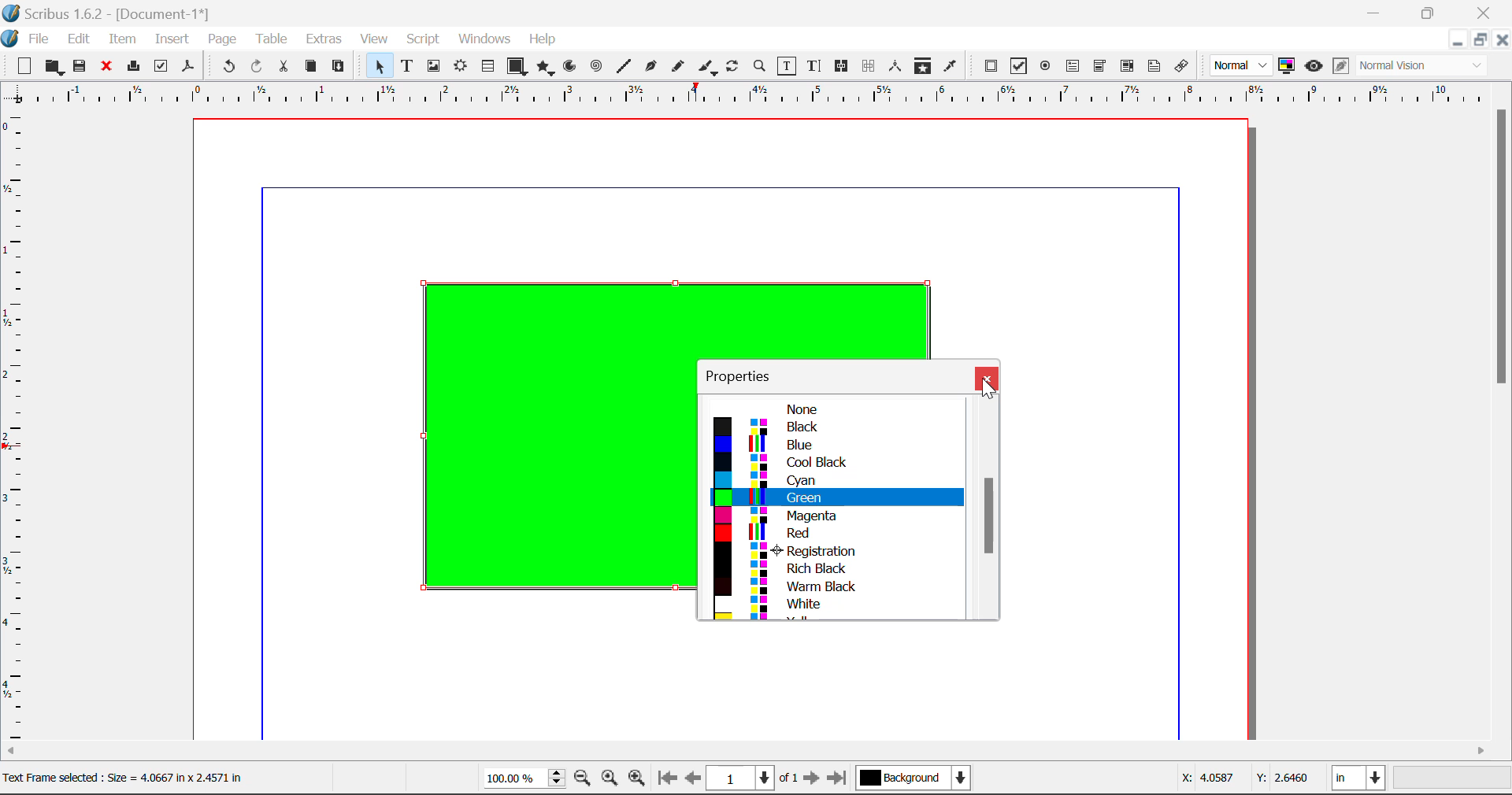 The height and width of the screenshot is (795, 1512). What do you see at coordinates (123, 776) in the screenshot?
I see `Text Frame selected: Size= 4.0667 in x 2.4571 in` at bounding box center [123, 776].